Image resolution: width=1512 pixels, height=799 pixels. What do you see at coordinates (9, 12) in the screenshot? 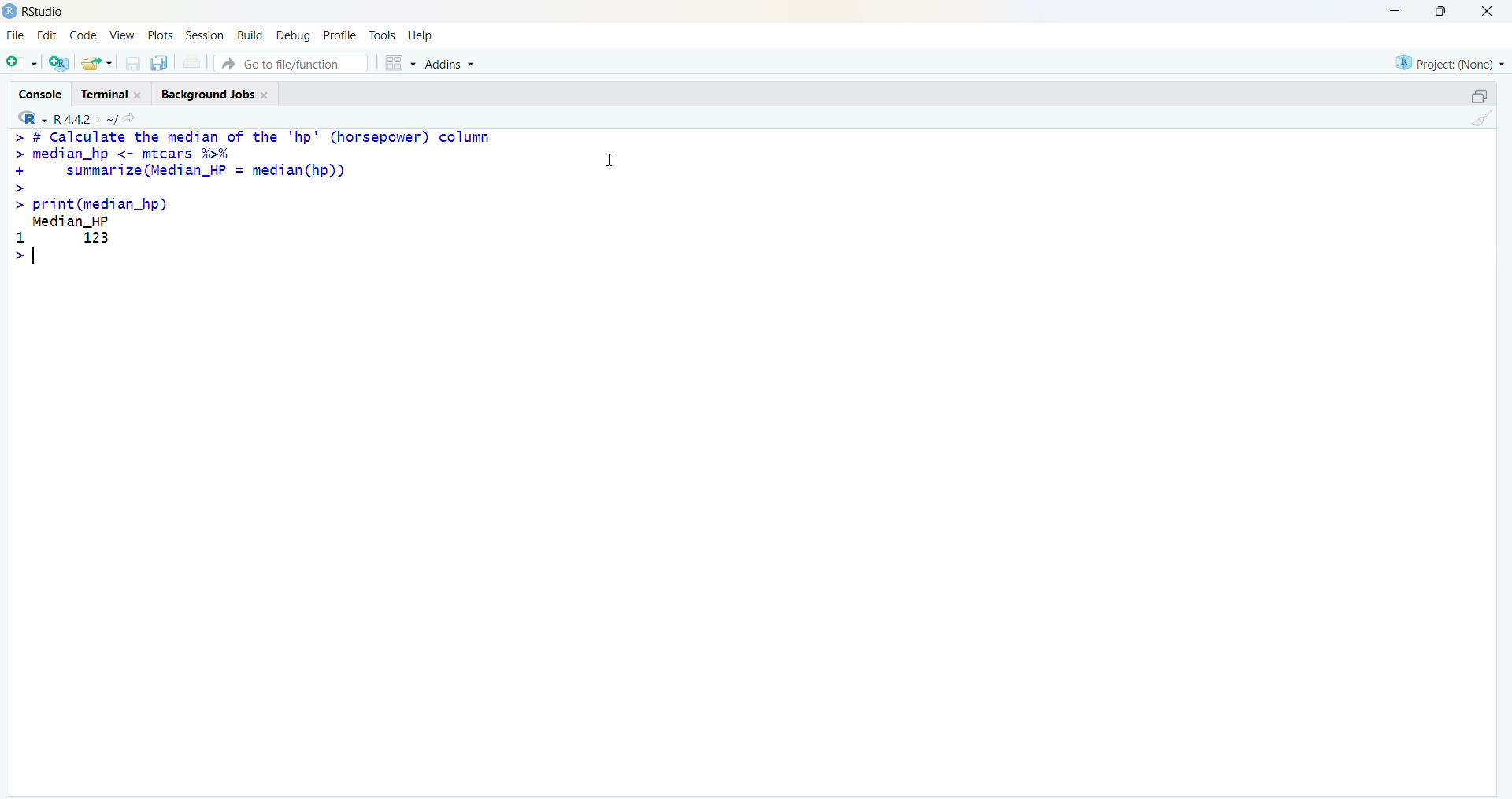
I see `logo` at bounding box center [9, 12].